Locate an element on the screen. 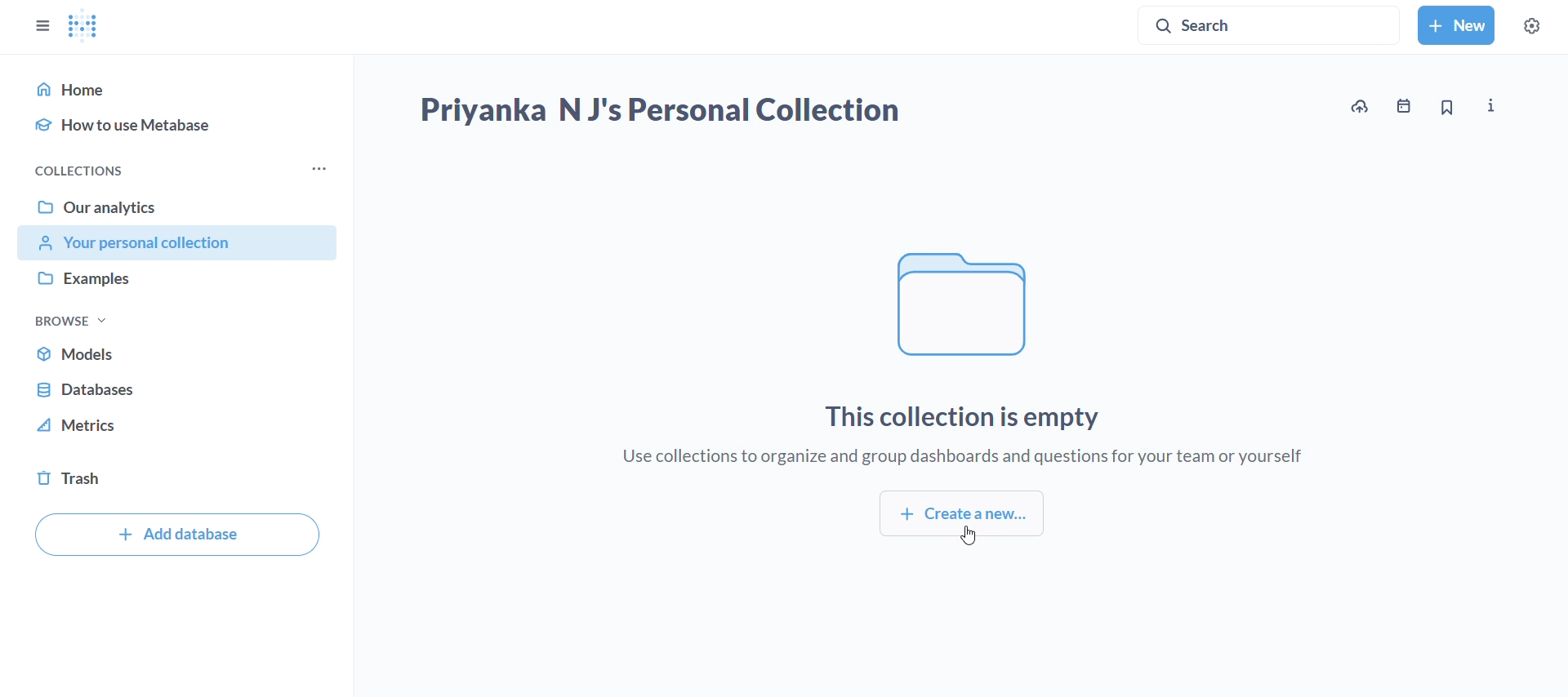 This screenshot has width=1568, height=697. cursor is located at coordinates (962, 540).